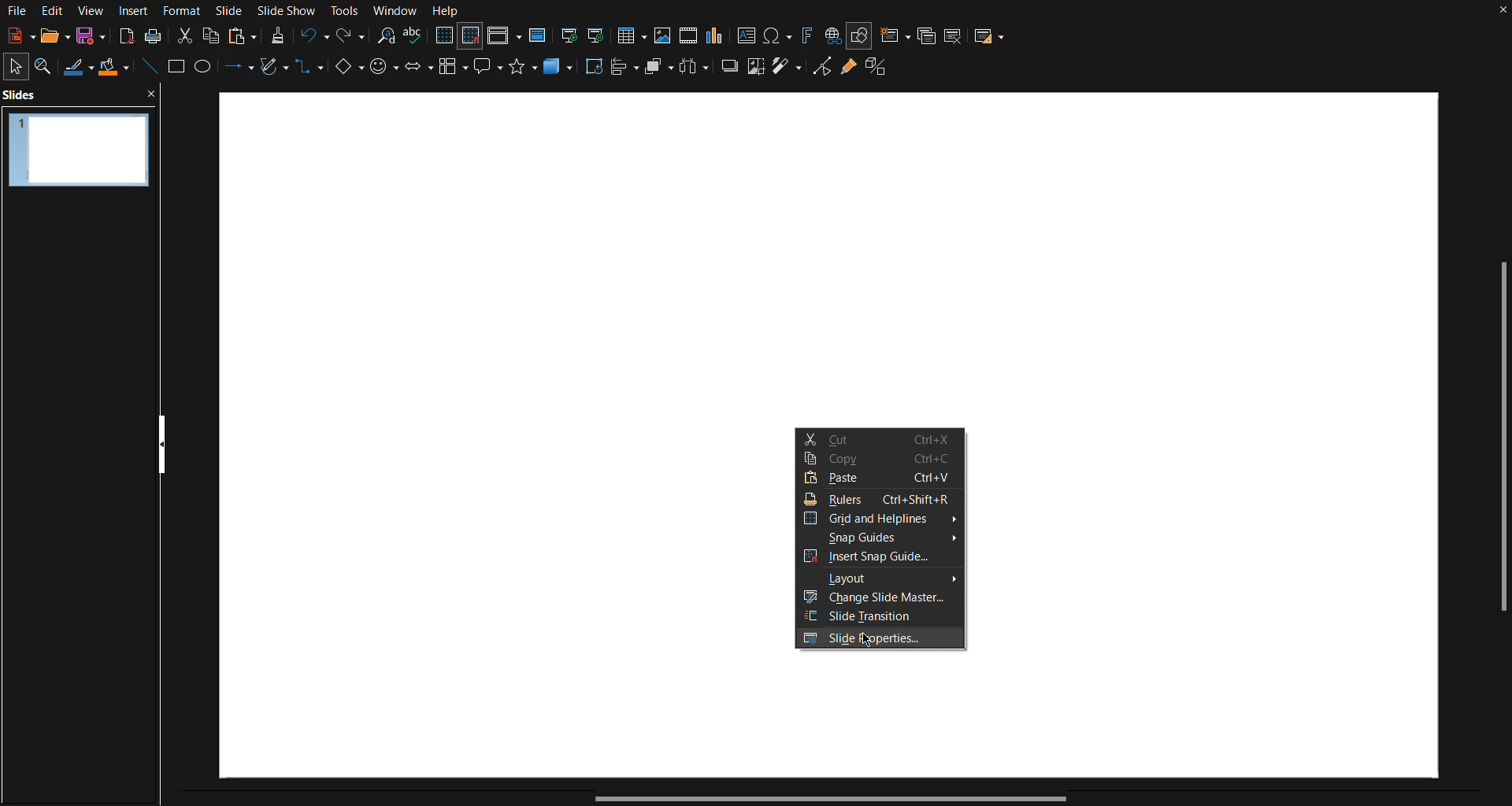  Describe the element at coordinates (124, 36) in the screenshot. I see `Export PDF` at that location.